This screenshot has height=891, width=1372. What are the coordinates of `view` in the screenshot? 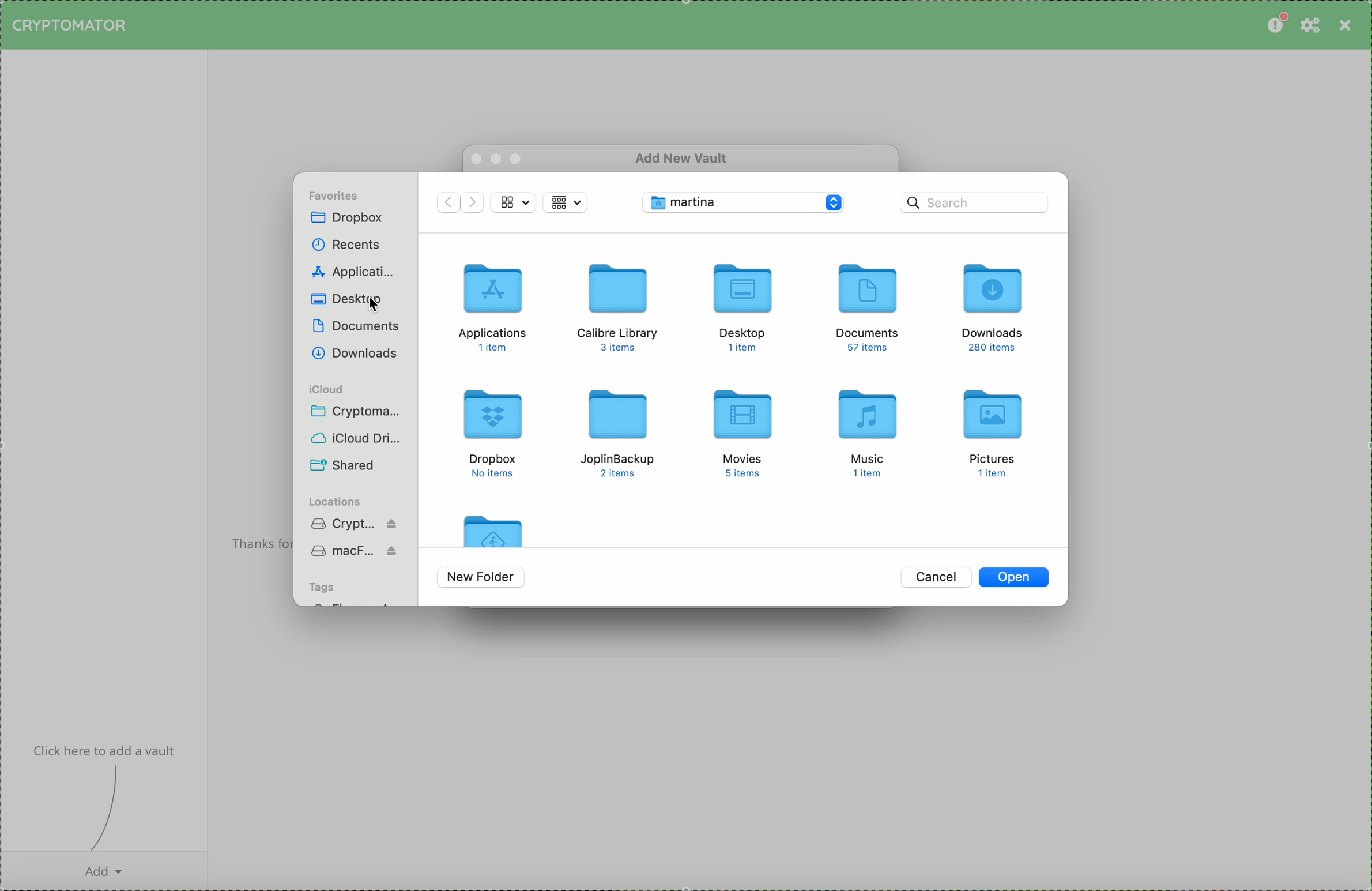 It's located at (512, 203).